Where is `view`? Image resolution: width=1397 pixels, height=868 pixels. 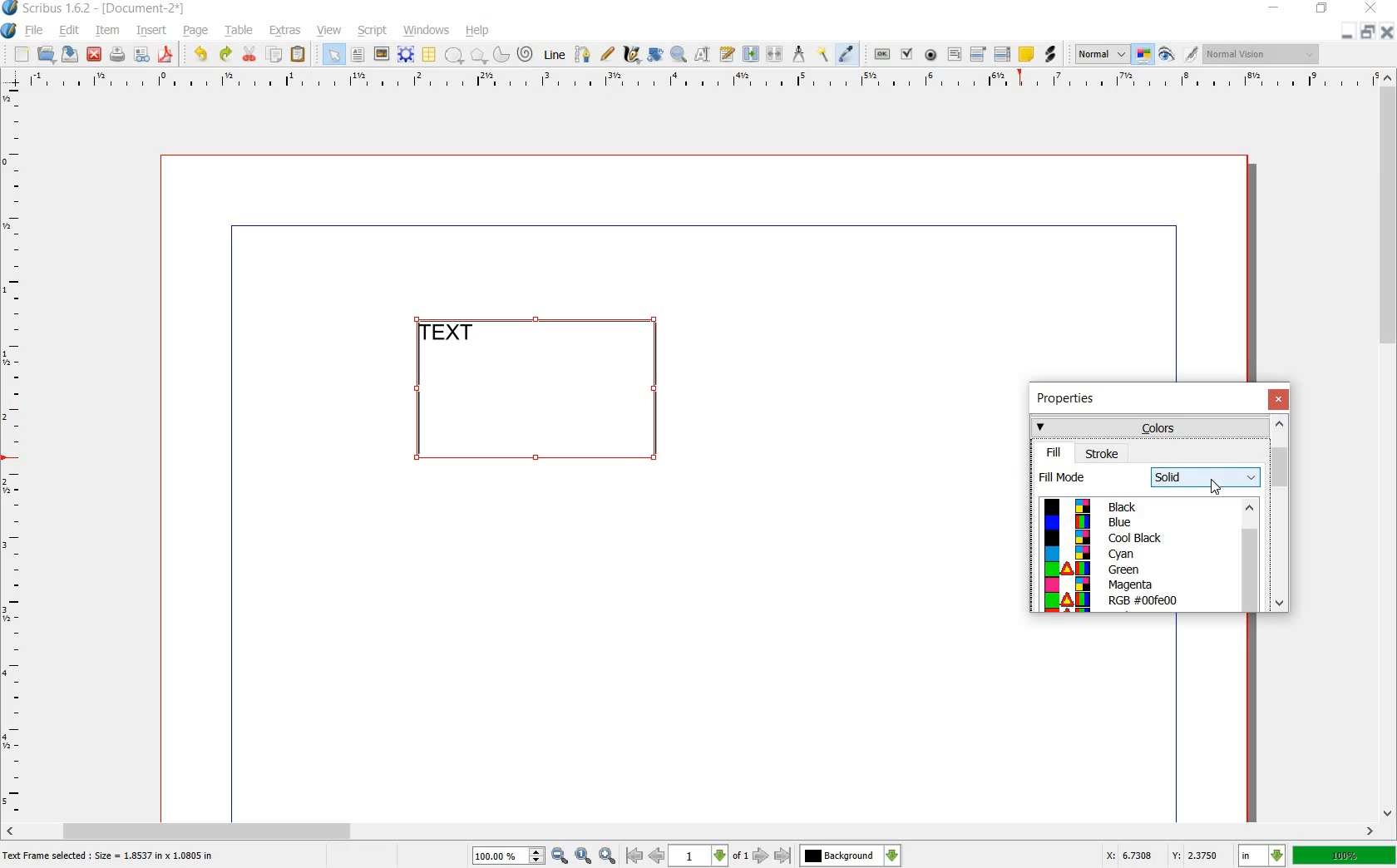
view is located at coordinates (330, 31).